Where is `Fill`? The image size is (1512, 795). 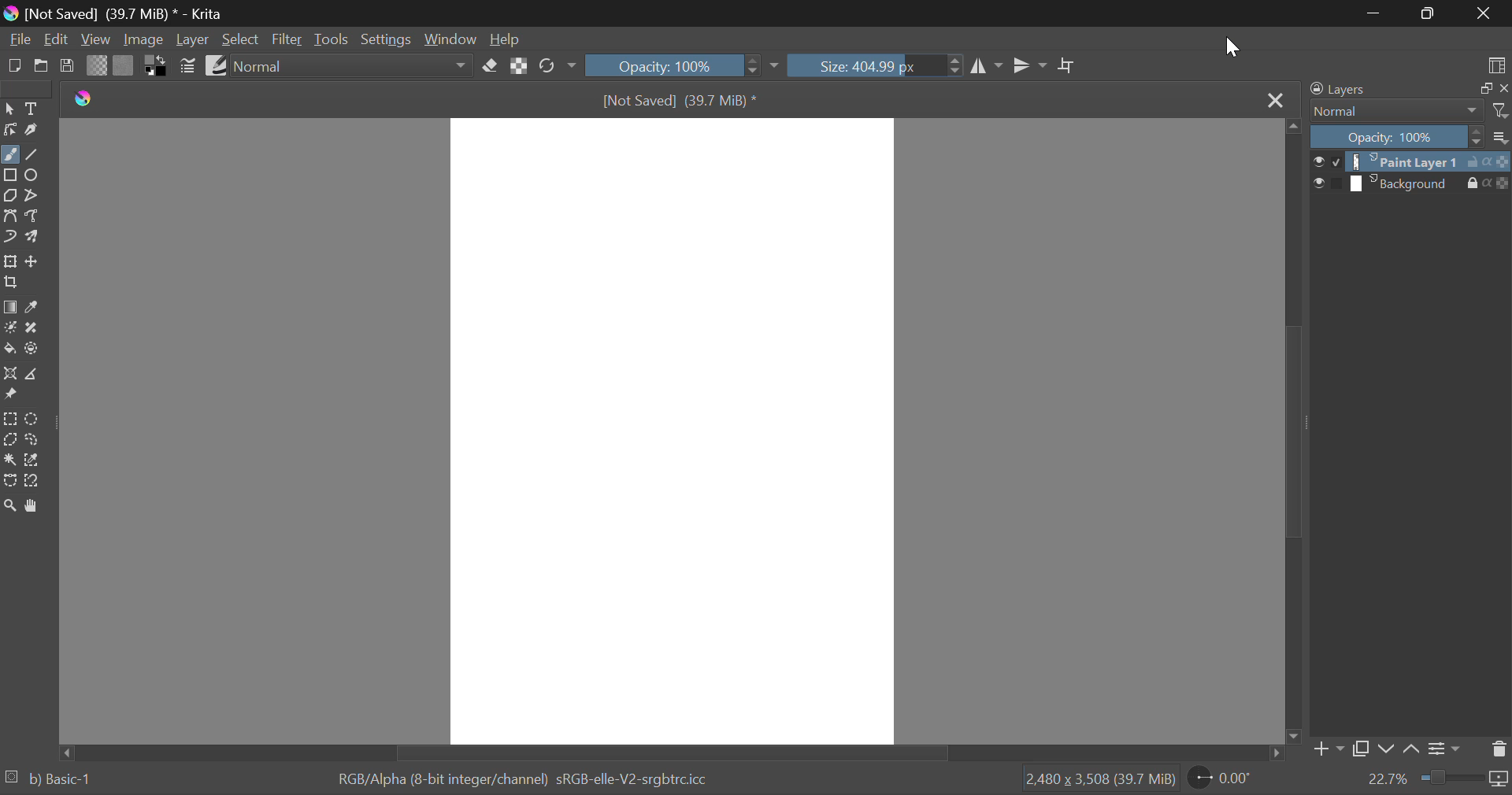
Fill is located at coordinates (9, 349).